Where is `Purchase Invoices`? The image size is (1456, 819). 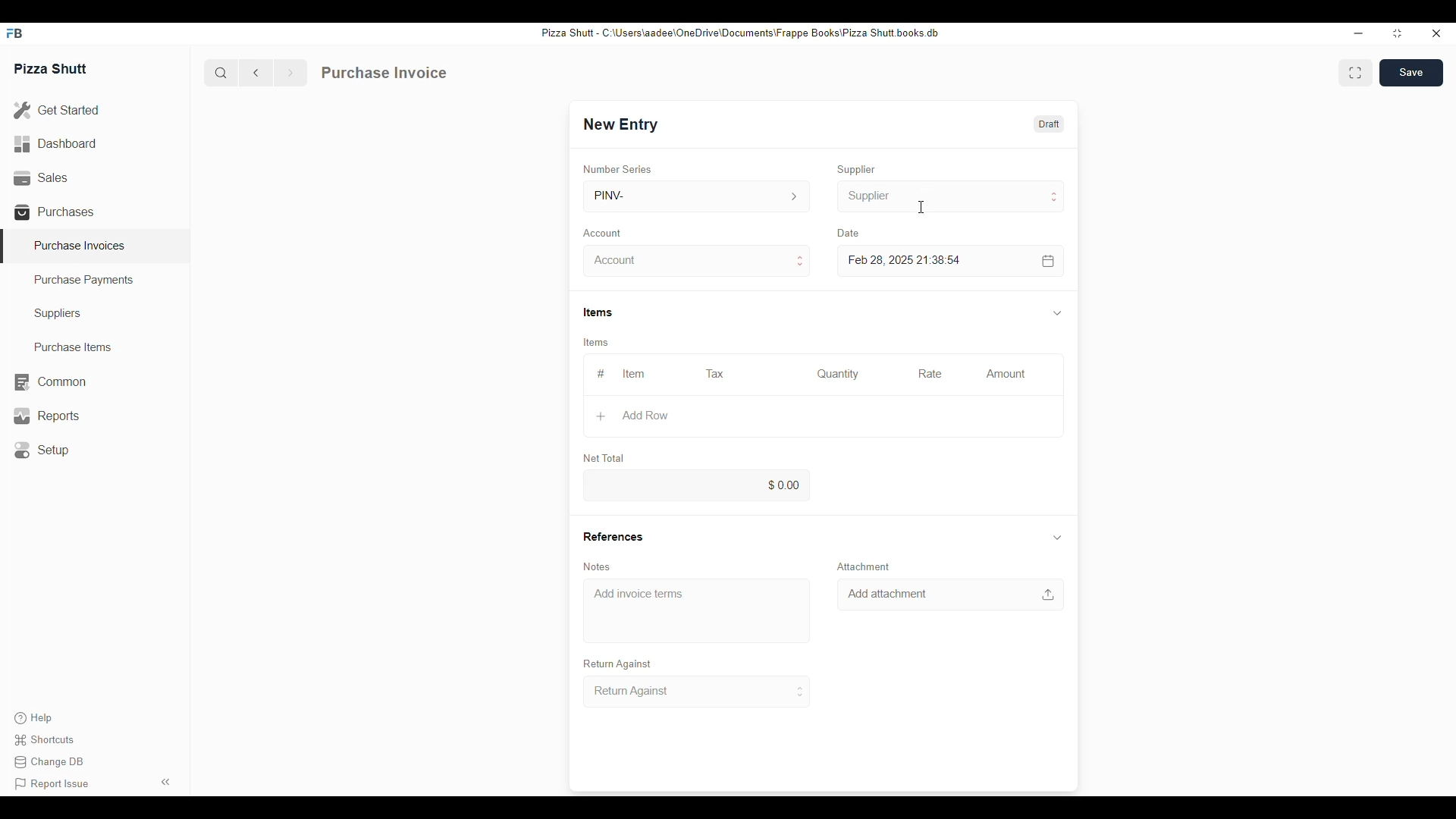
Purchase Invoices is located at coordinates (80, 245).